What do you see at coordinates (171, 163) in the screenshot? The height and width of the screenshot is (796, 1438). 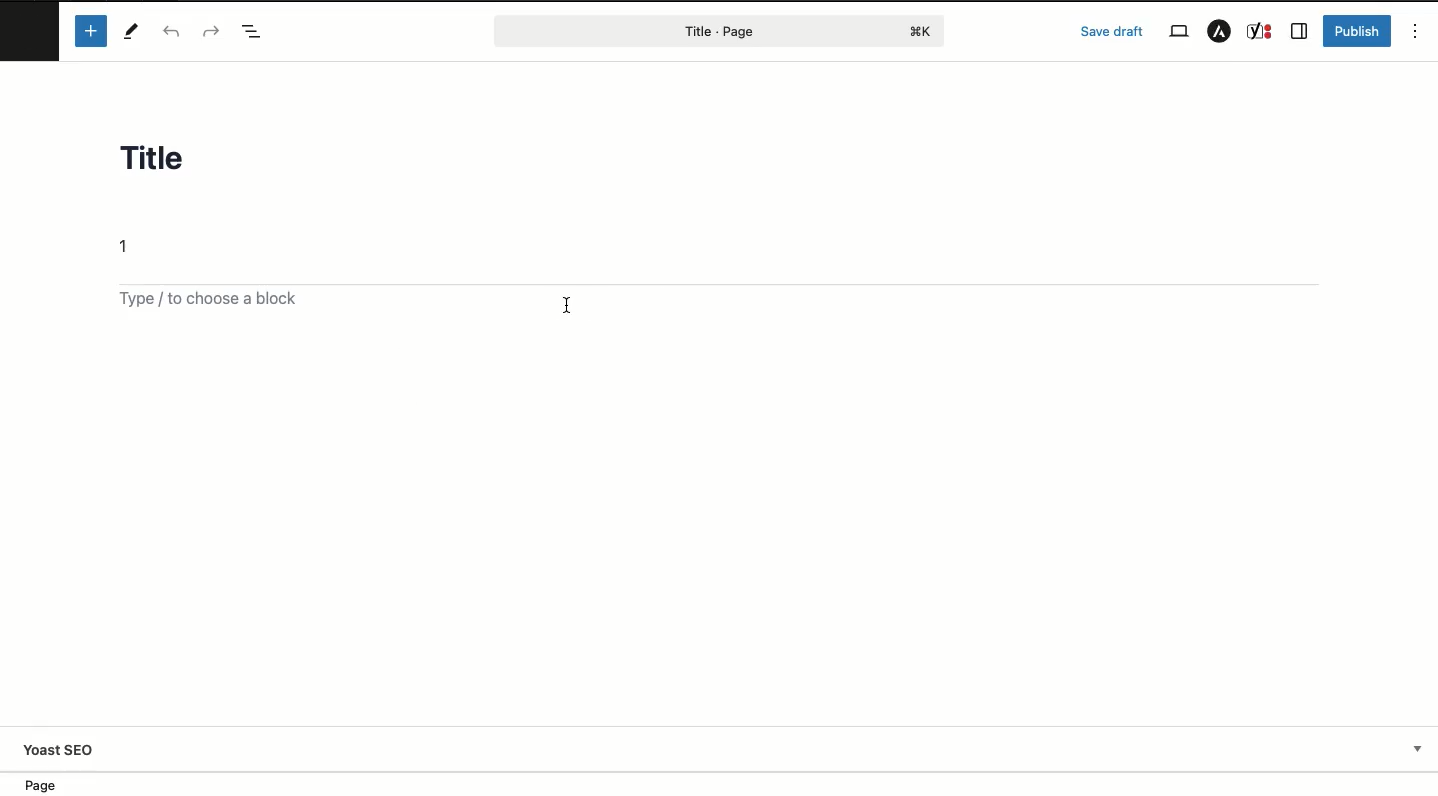 I see `Title` at bounding box center [171, 163].